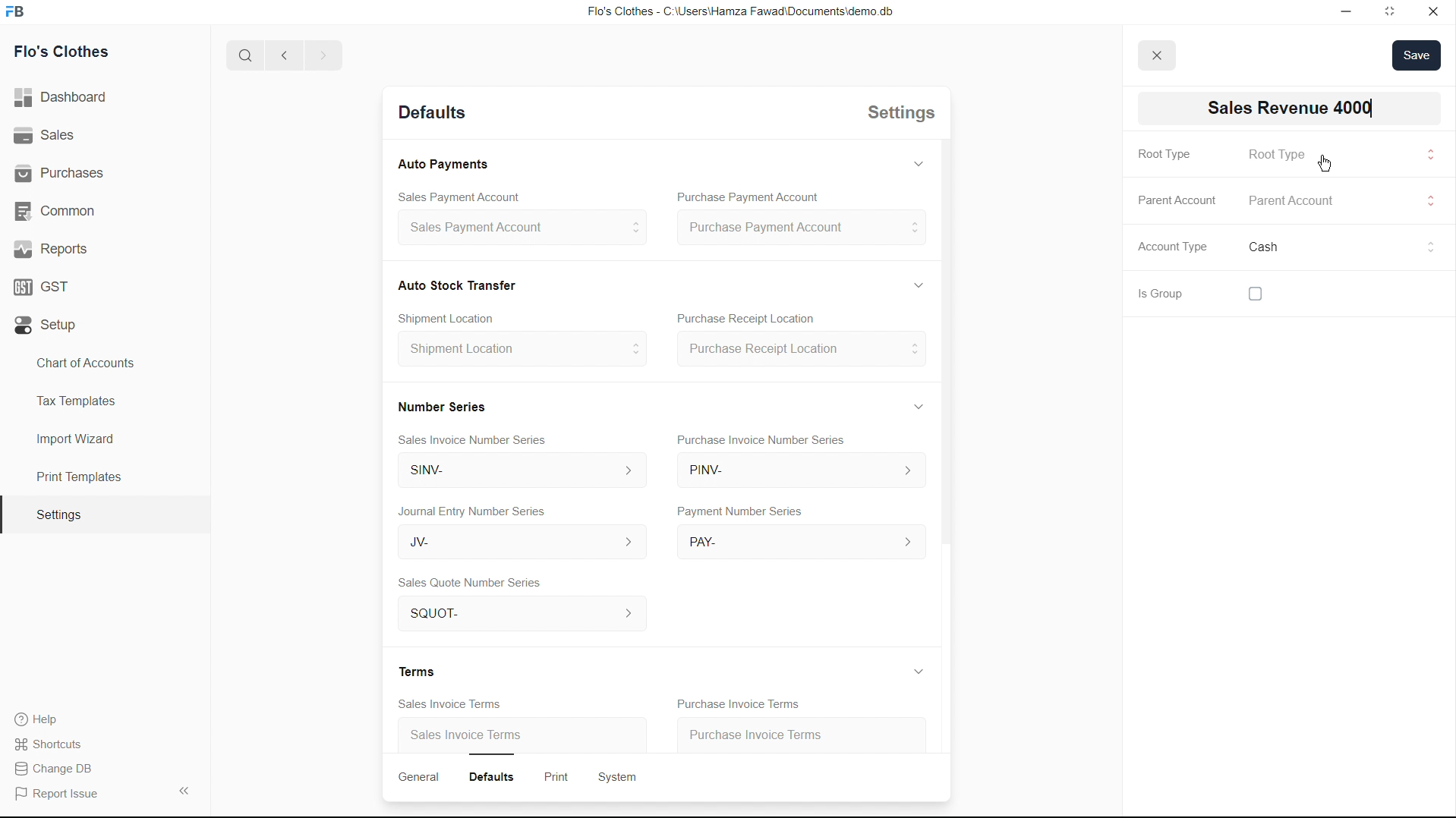 The height and width of the screenshot is (818, 1456). Describe the element at coordinates (456, 315) in the screenshot. I see `Create` at that location.